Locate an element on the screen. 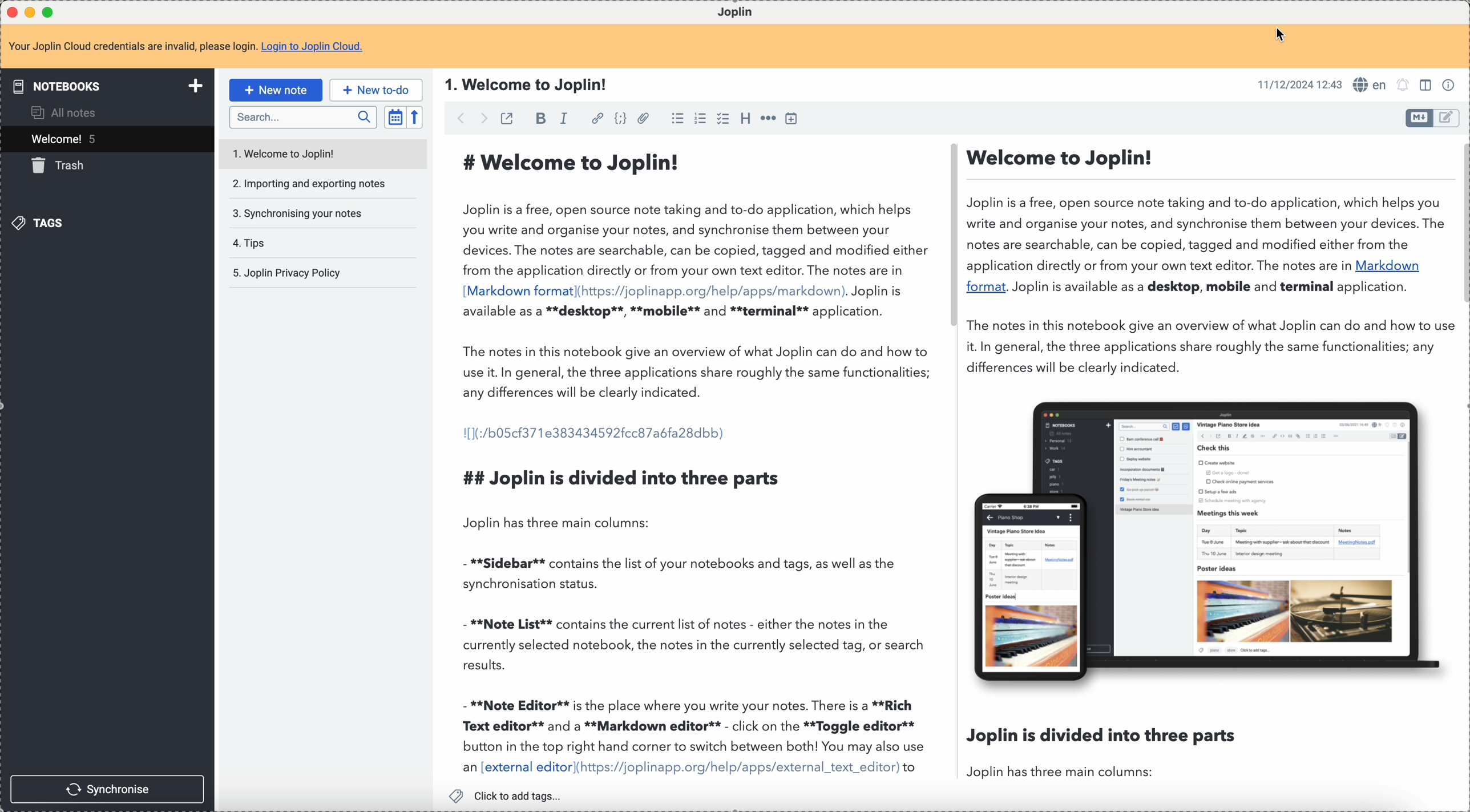 Image resolution: width=1470 pixels, height=812 pixels. en is located at coordinates (1368, 83).